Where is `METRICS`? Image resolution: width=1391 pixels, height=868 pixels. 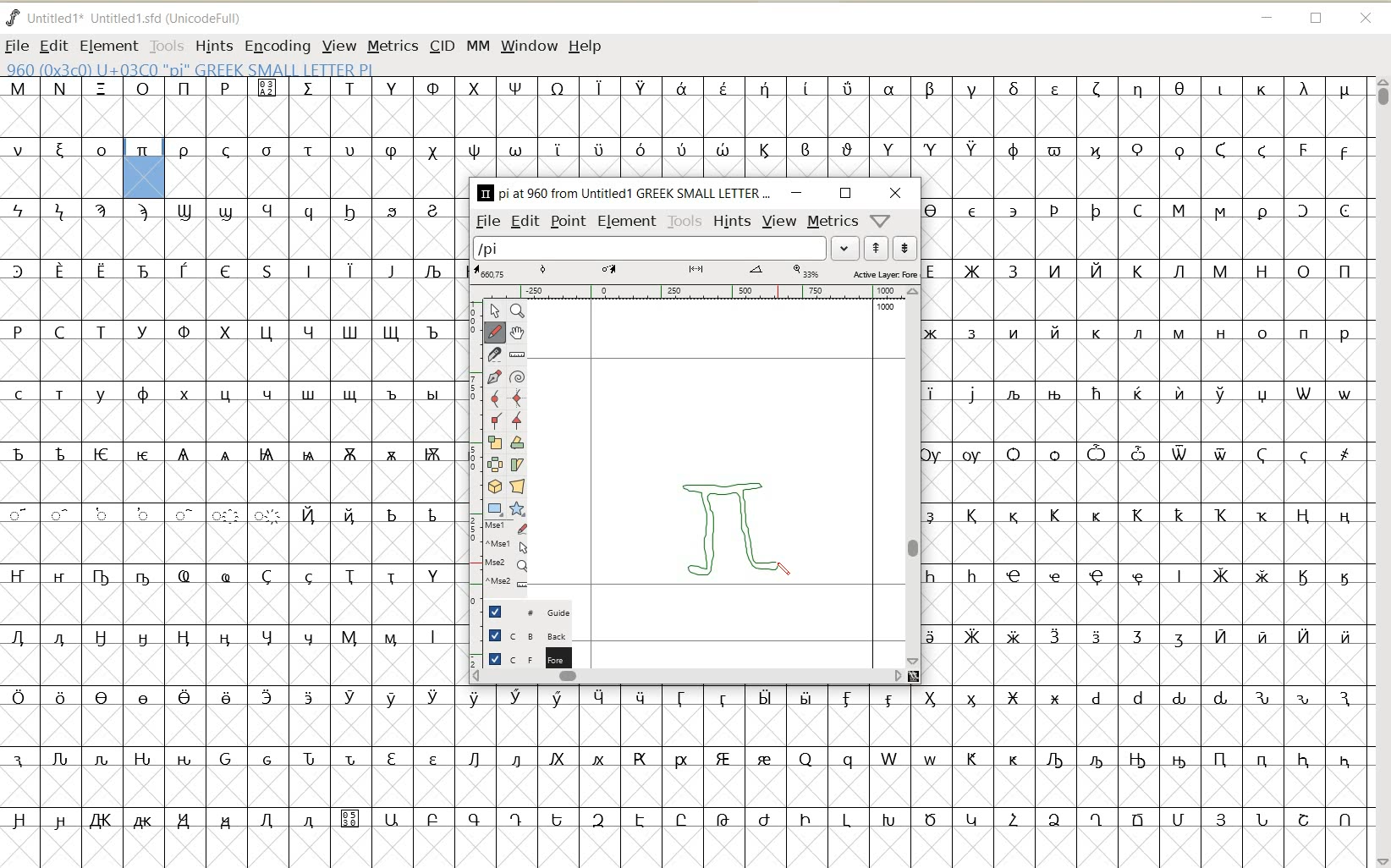 METRICS is located at coordinates (393, 45).